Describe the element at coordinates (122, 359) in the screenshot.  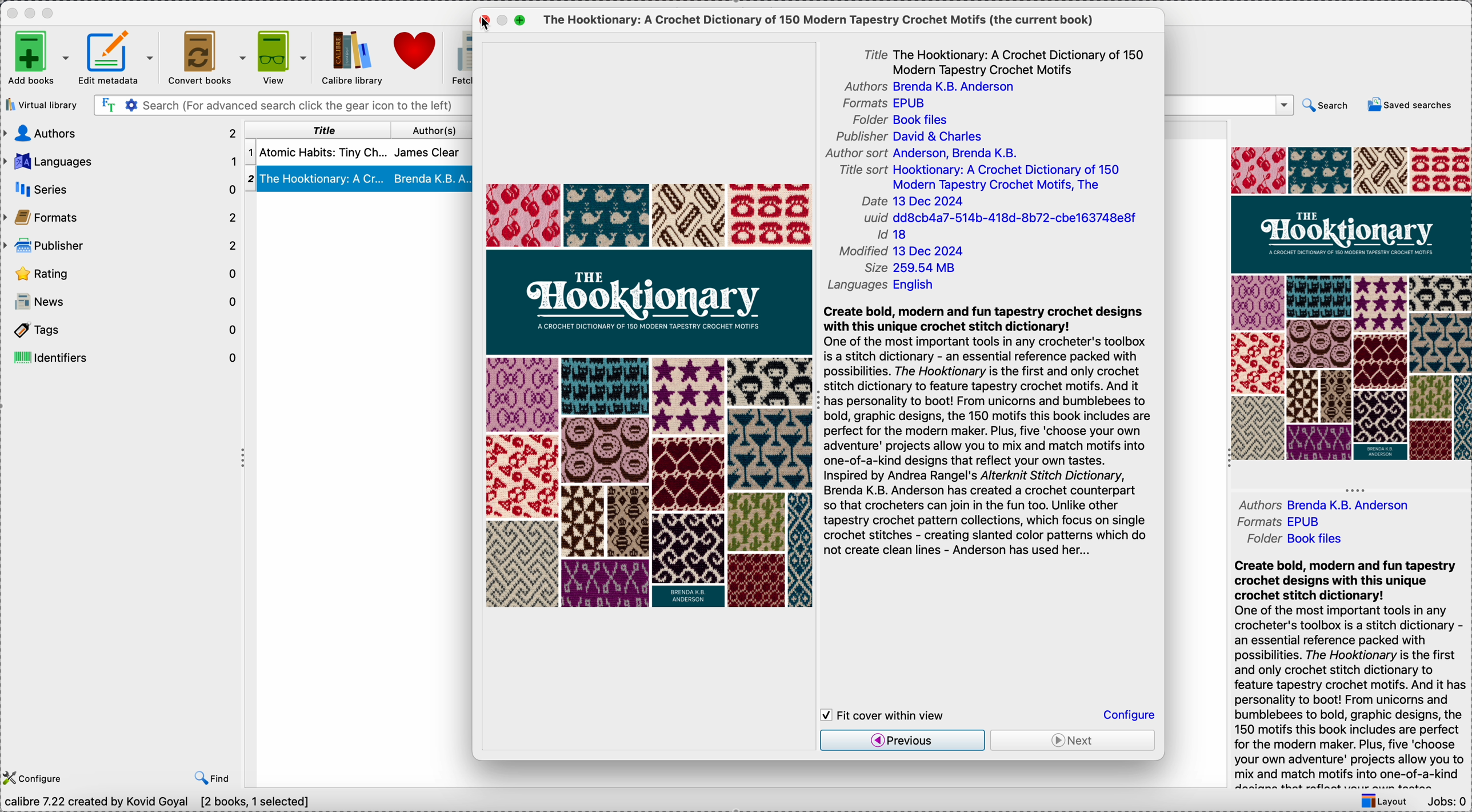
I see `identifiers` at that location.